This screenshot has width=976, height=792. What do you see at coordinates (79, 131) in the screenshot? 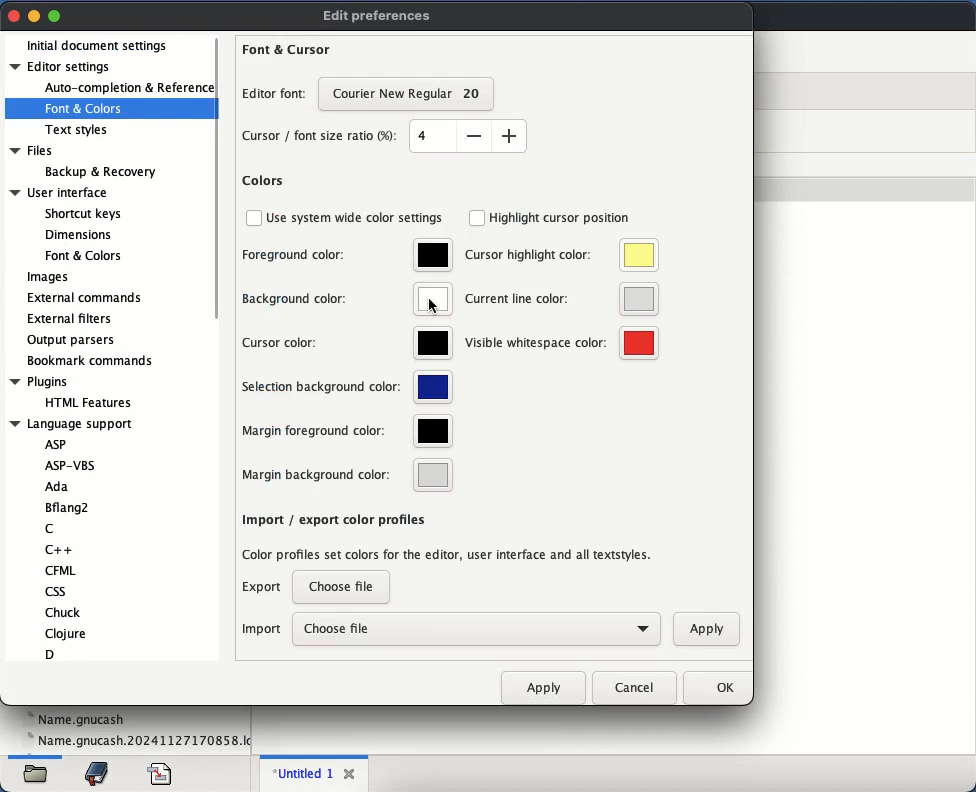
I see `text styles` at bounding box center [79, 131].